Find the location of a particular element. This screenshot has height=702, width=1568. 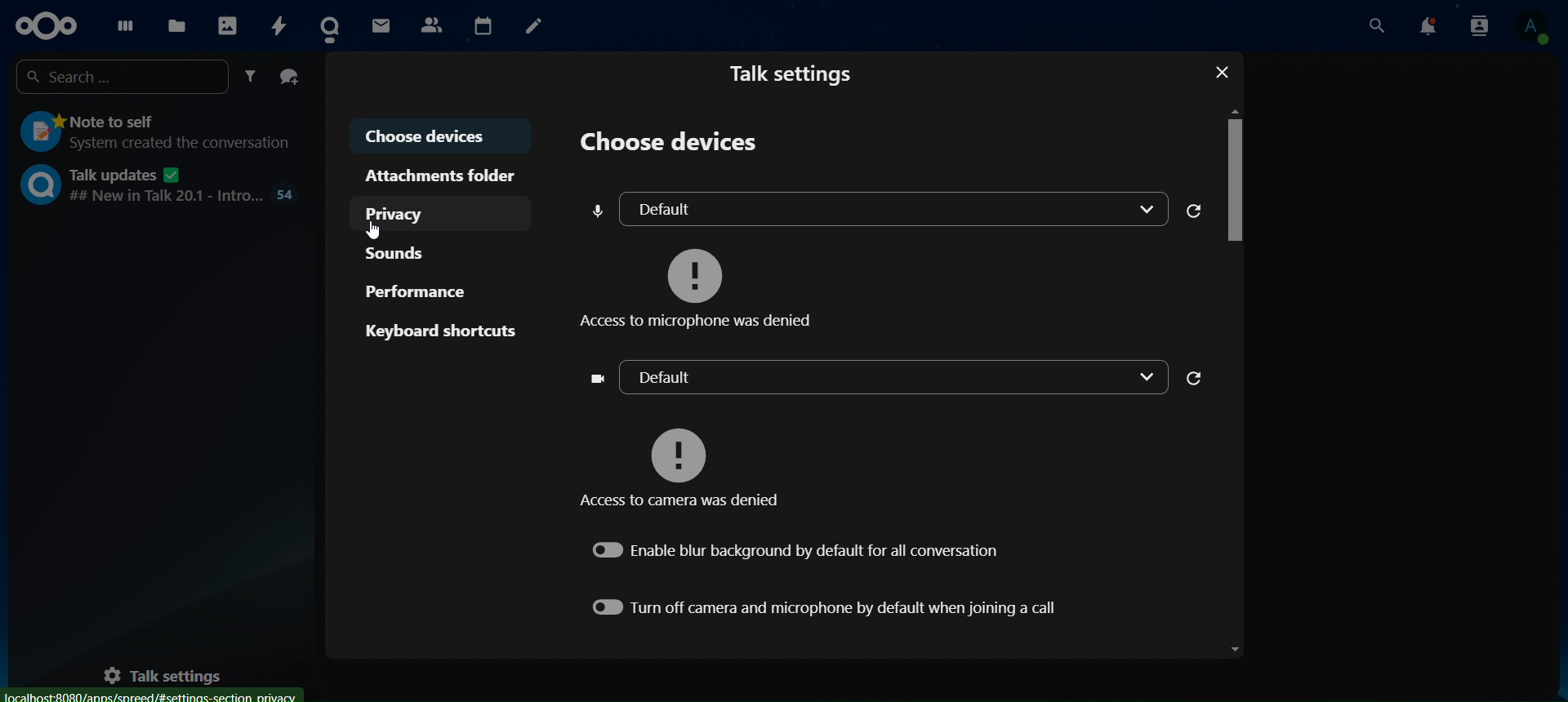

view profile is located at coordinates (1533, 28).